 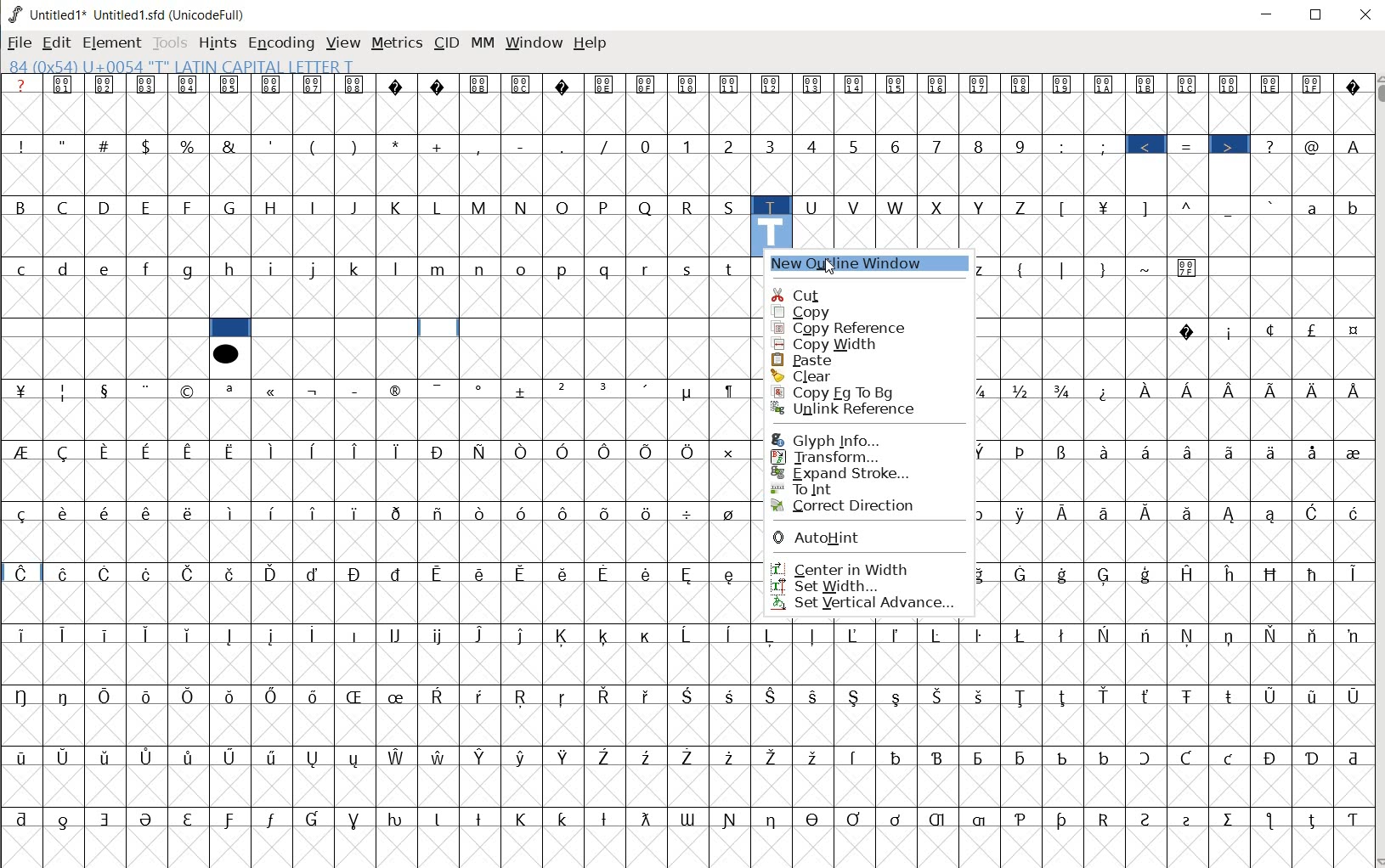 I want to click on Symbol, so click(x=314, y=451).